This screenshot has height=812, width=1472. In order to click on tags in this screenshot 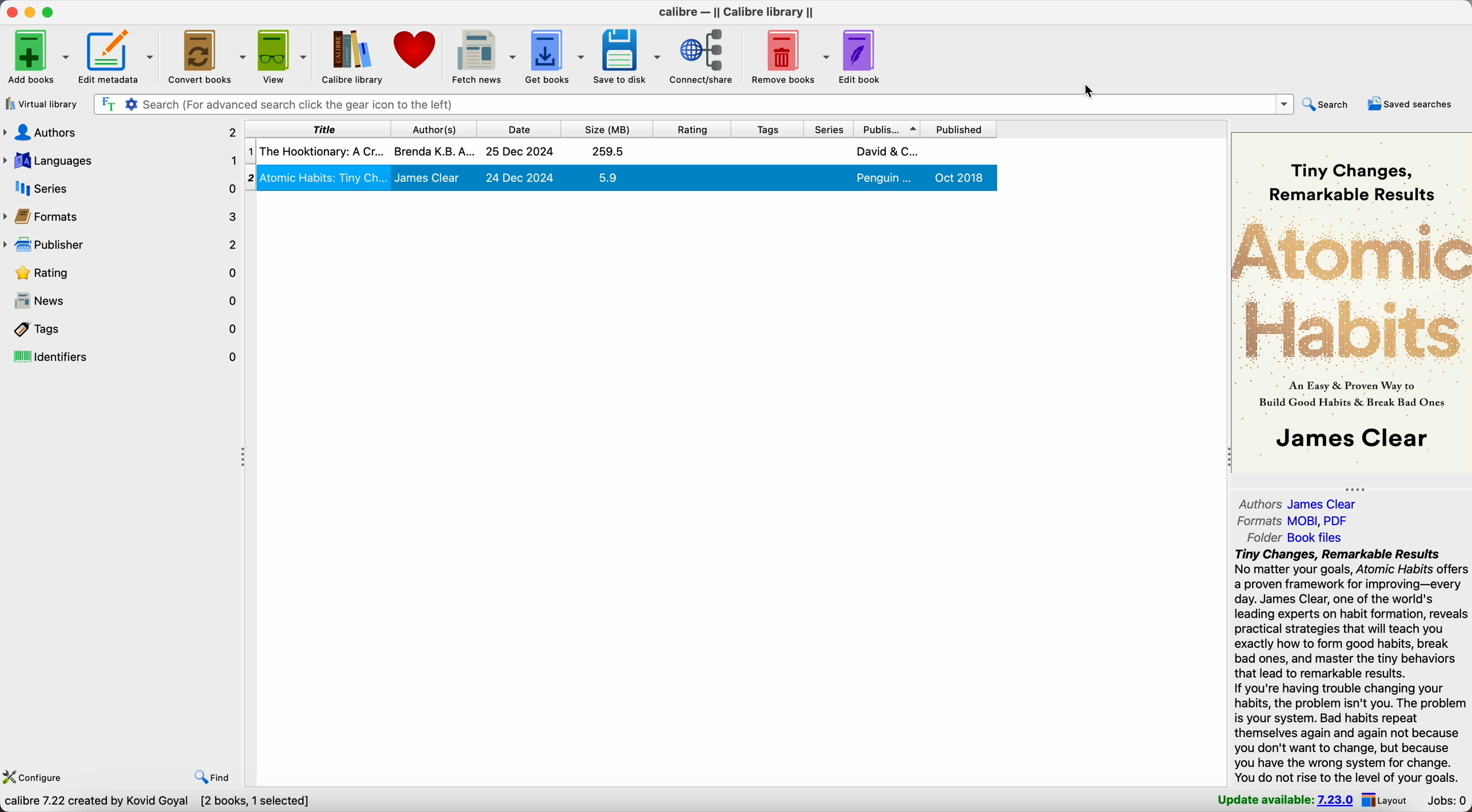, I will do `click(765, 128)`.